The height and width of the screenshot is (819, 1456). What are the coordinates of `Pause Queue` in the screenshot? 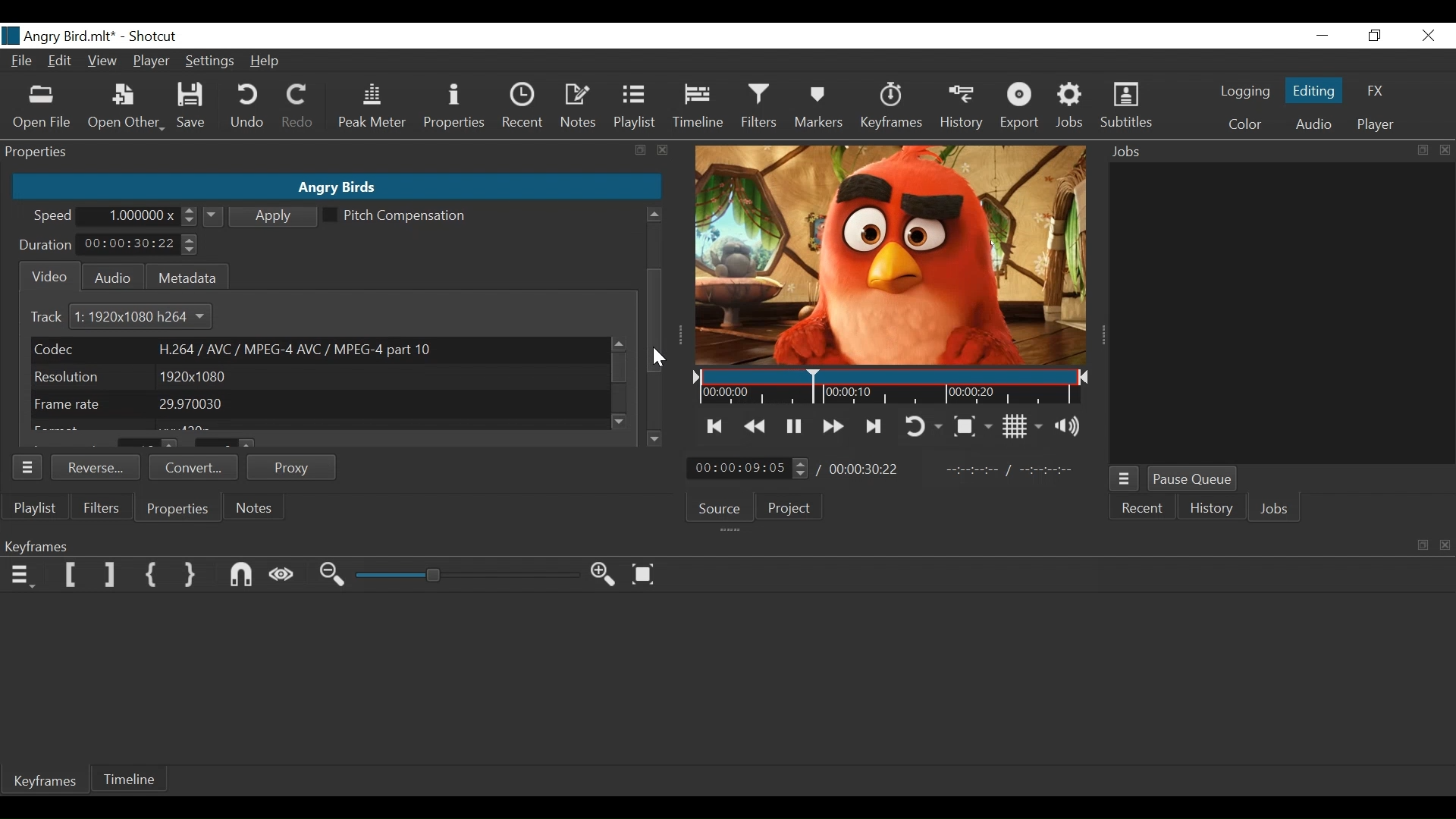 It's located at (1193, 479).